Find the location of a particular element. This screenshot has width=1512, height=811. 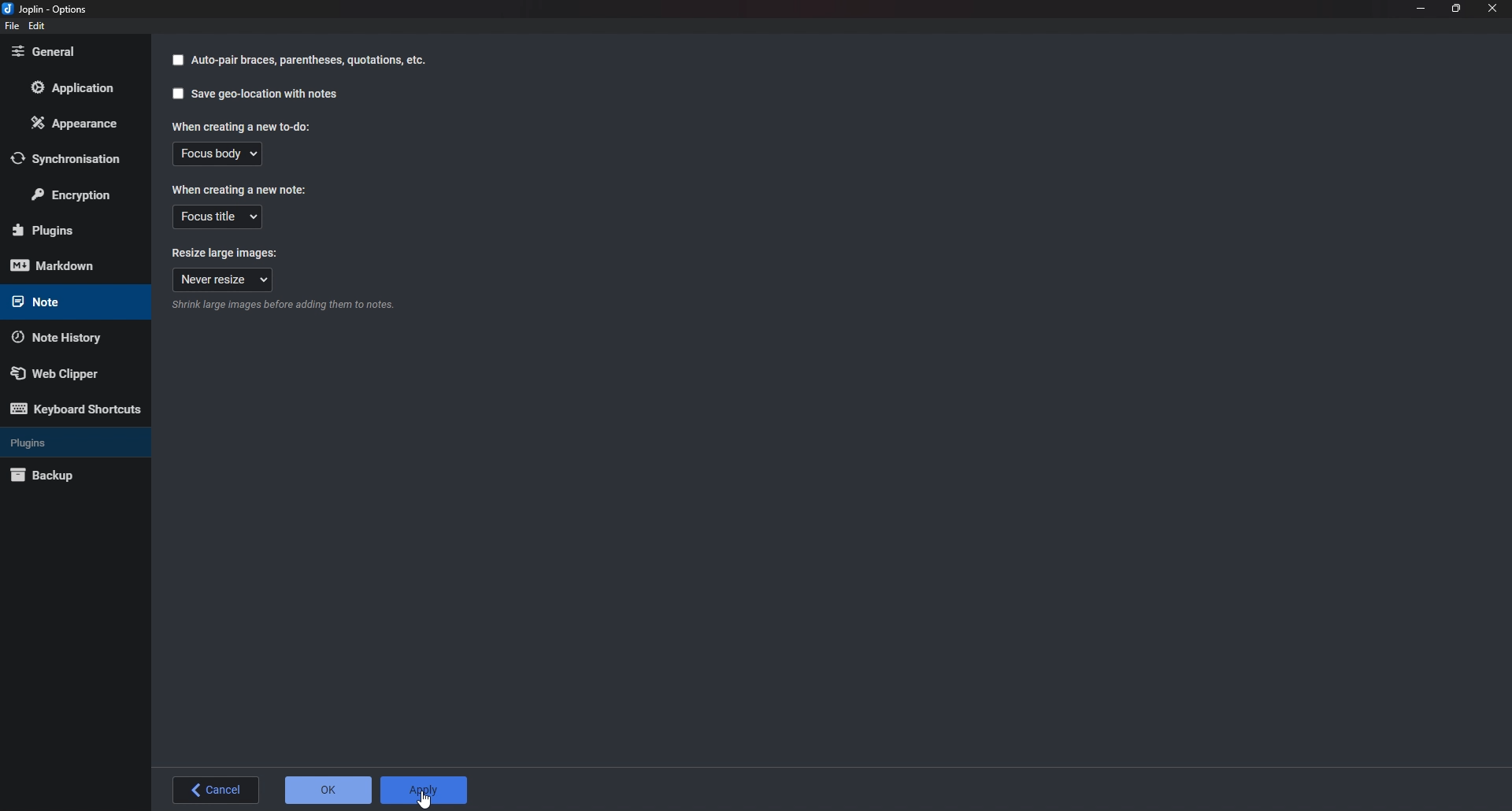

focus title is located at coordinates (217, 217).